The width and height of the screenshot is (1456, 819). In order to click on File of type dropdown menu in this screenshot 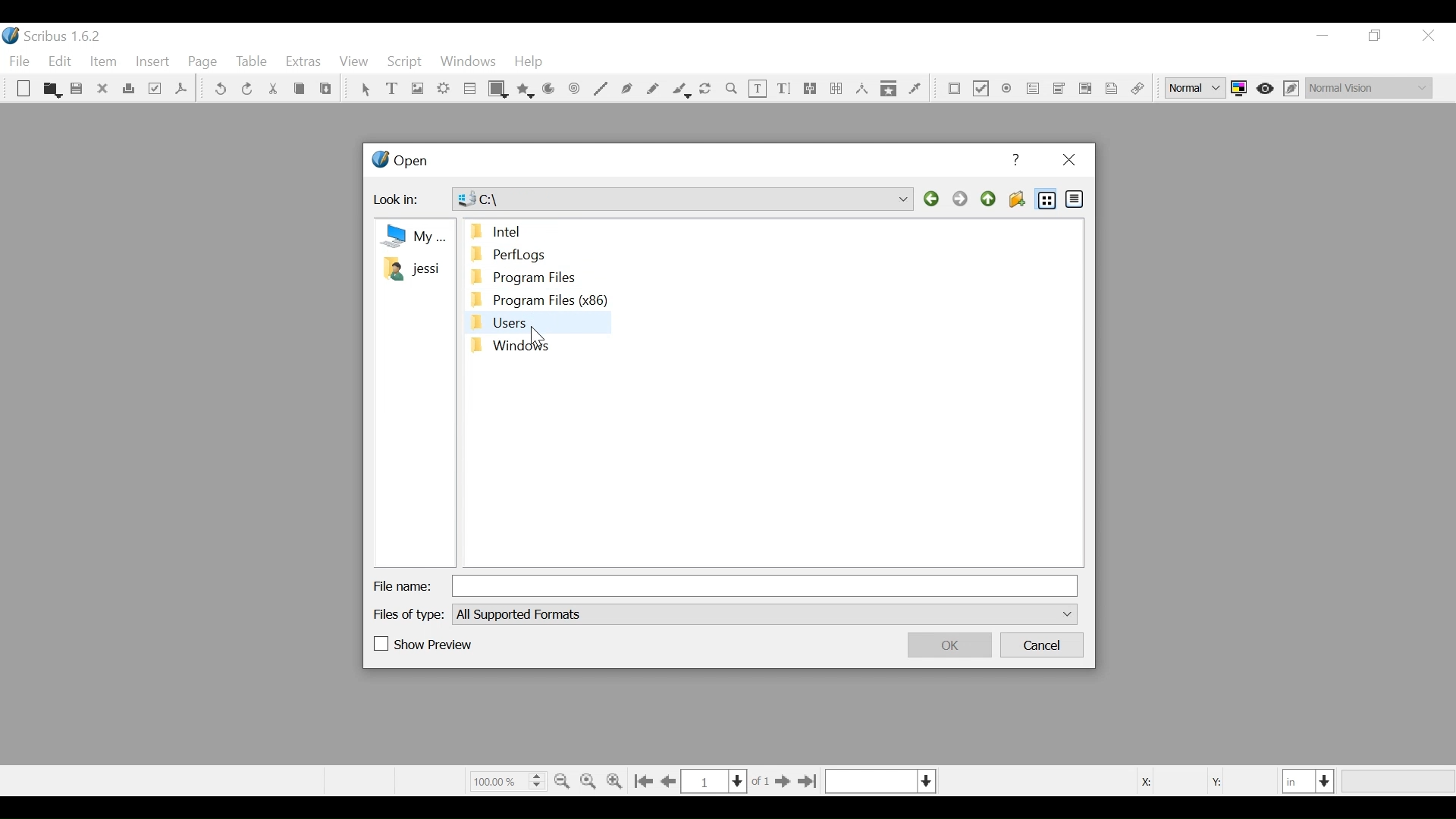, I will do `click(764, 613)`.